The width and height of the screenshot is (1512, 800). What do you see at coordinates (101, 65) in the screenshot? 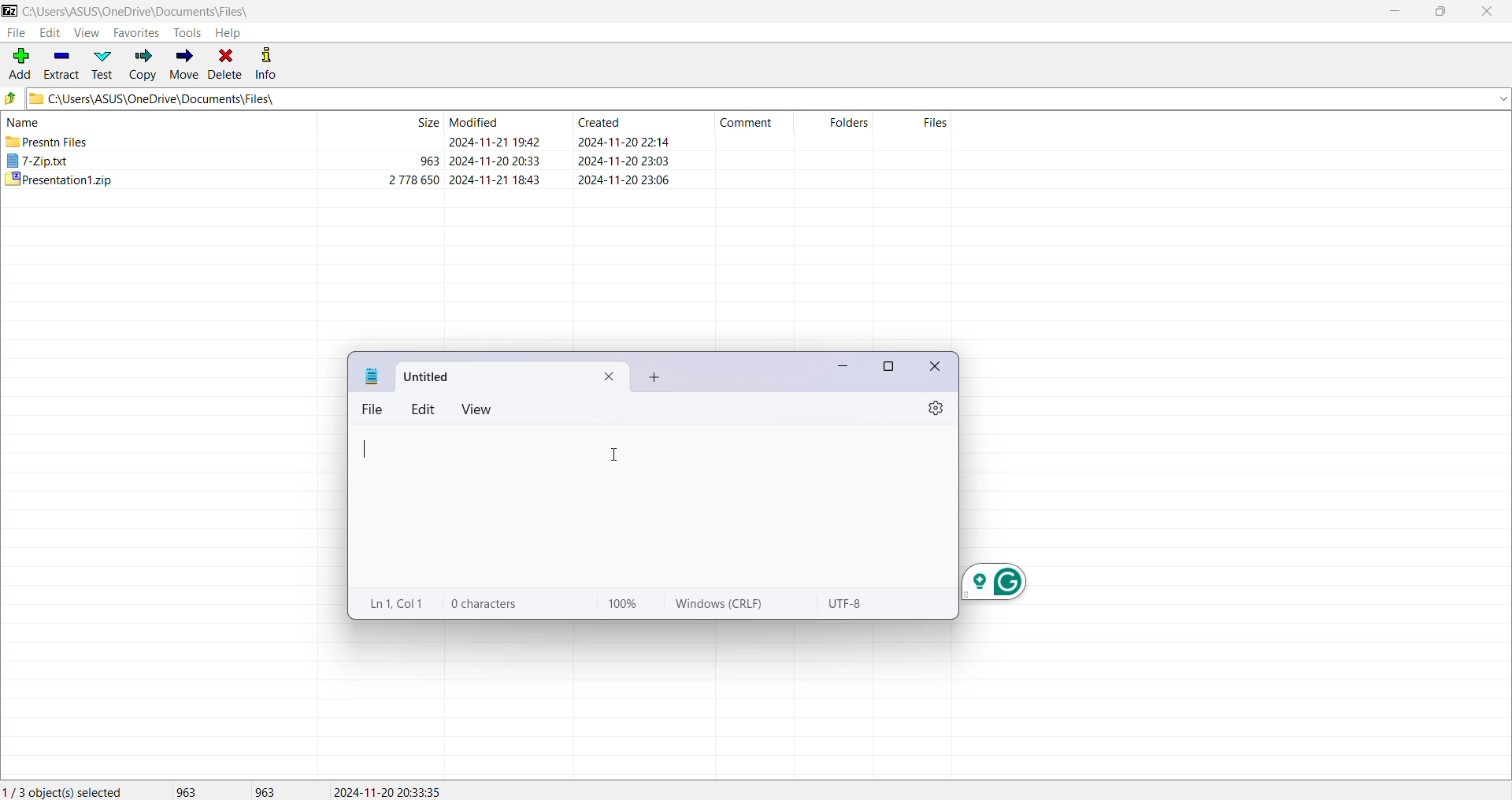
I see `Test` at bounding box center [101, 65].